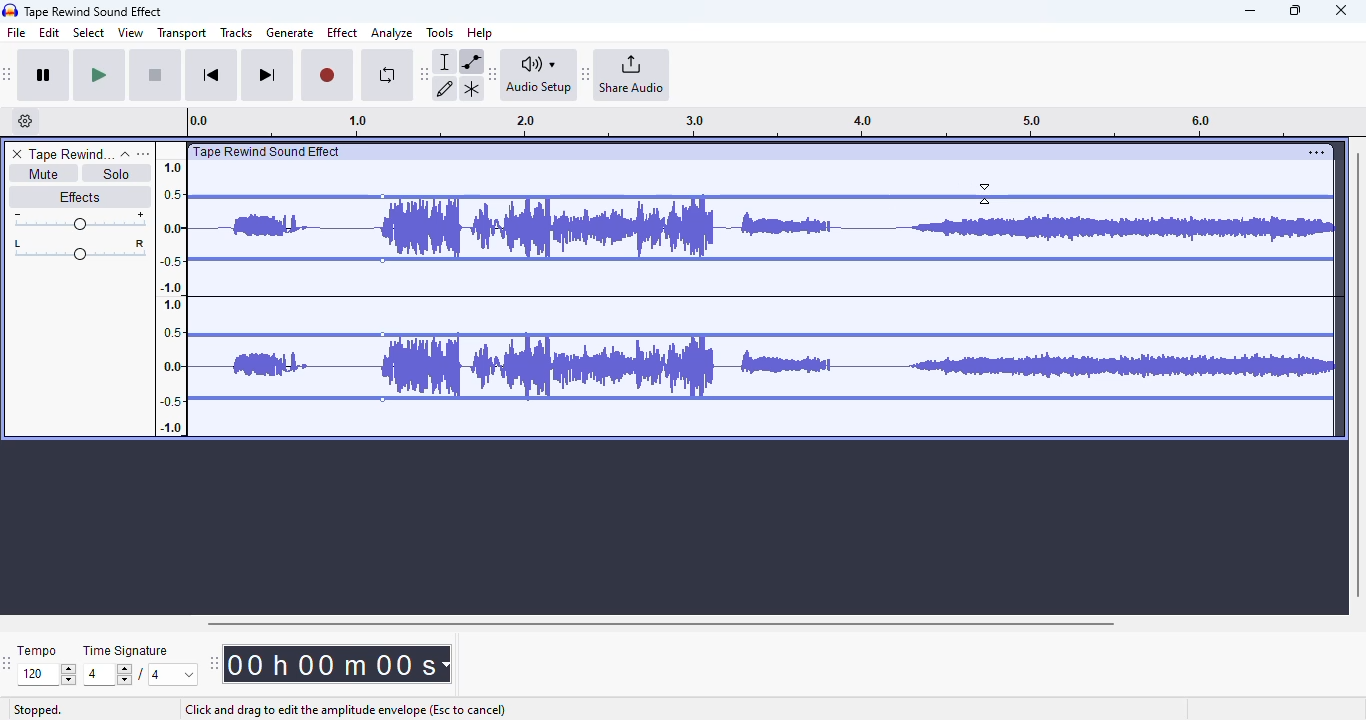 The width and height of the screenshot is (1366, 720). Describe the element at coordinates (172, 296) in the screenshot. I see `Scale to measure sound intensity` at that location.